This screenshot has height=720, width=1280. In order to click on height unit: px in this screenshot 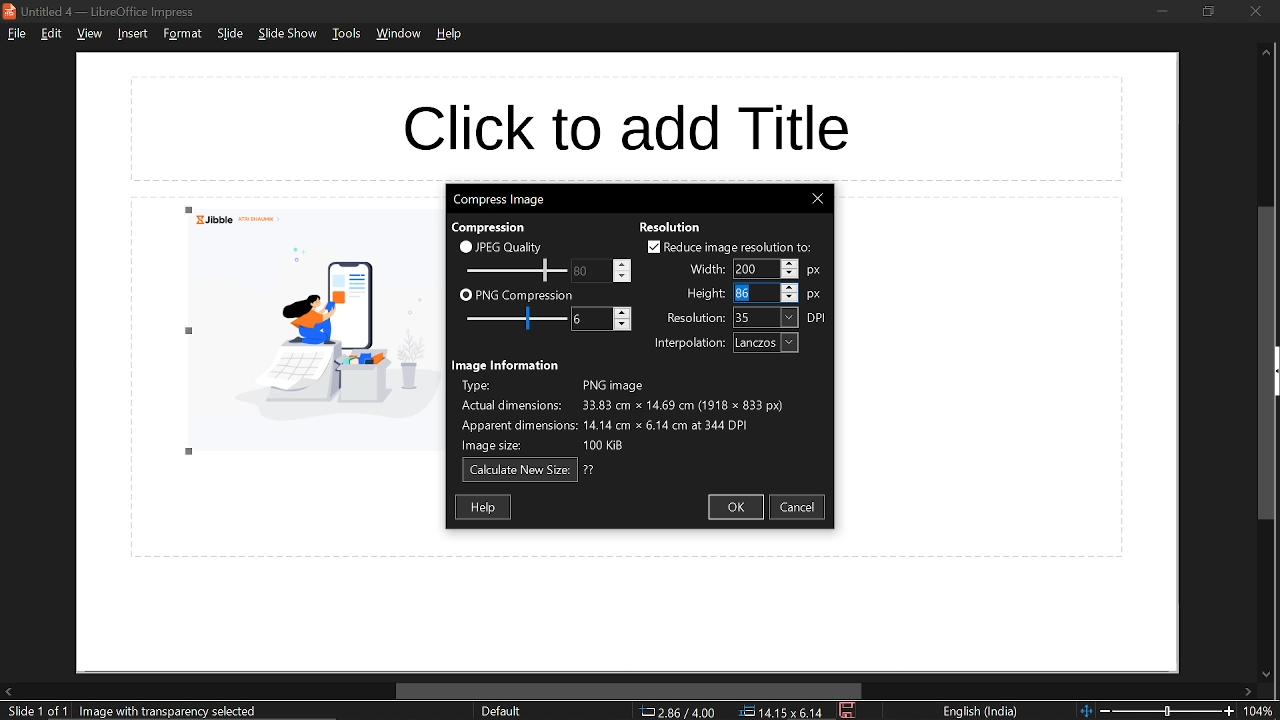, I will do `click(815, 296)`.